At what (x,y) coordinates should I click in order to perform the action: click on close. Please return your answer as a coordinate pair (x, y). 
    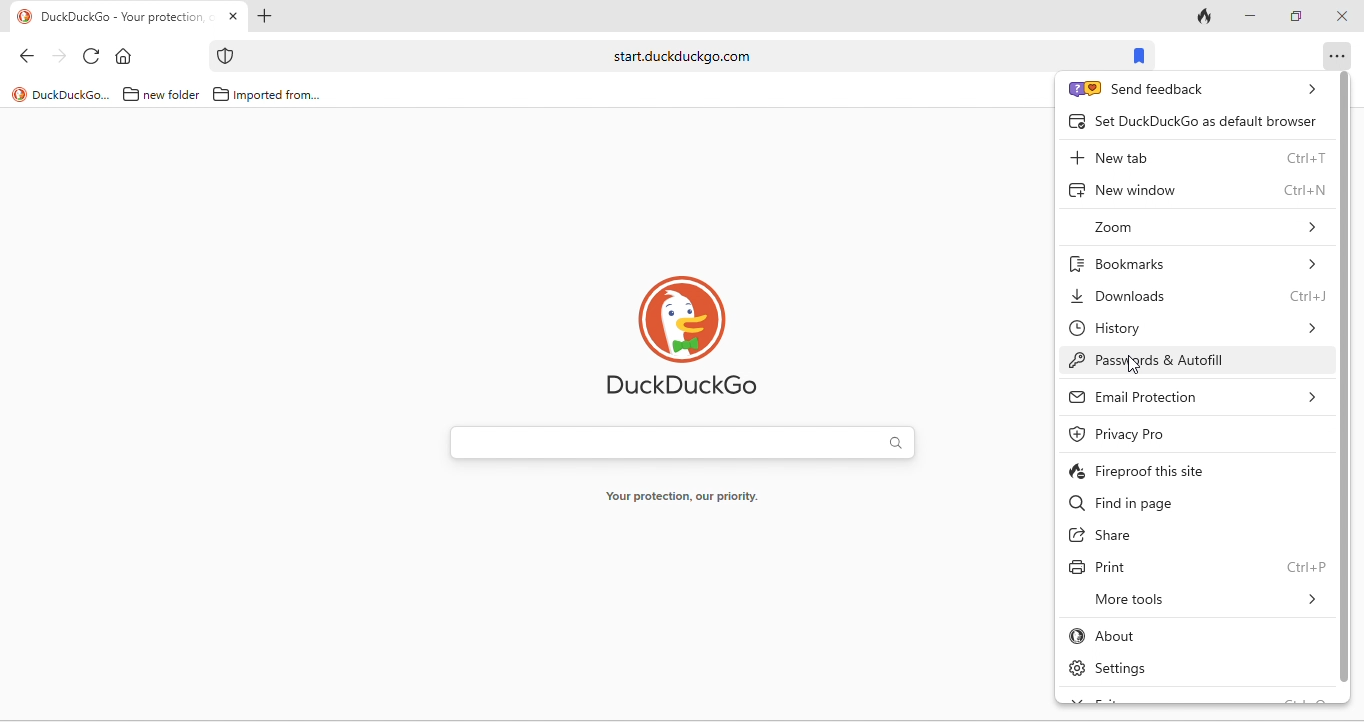
    Looking at the image, I should click on (1340, 17).